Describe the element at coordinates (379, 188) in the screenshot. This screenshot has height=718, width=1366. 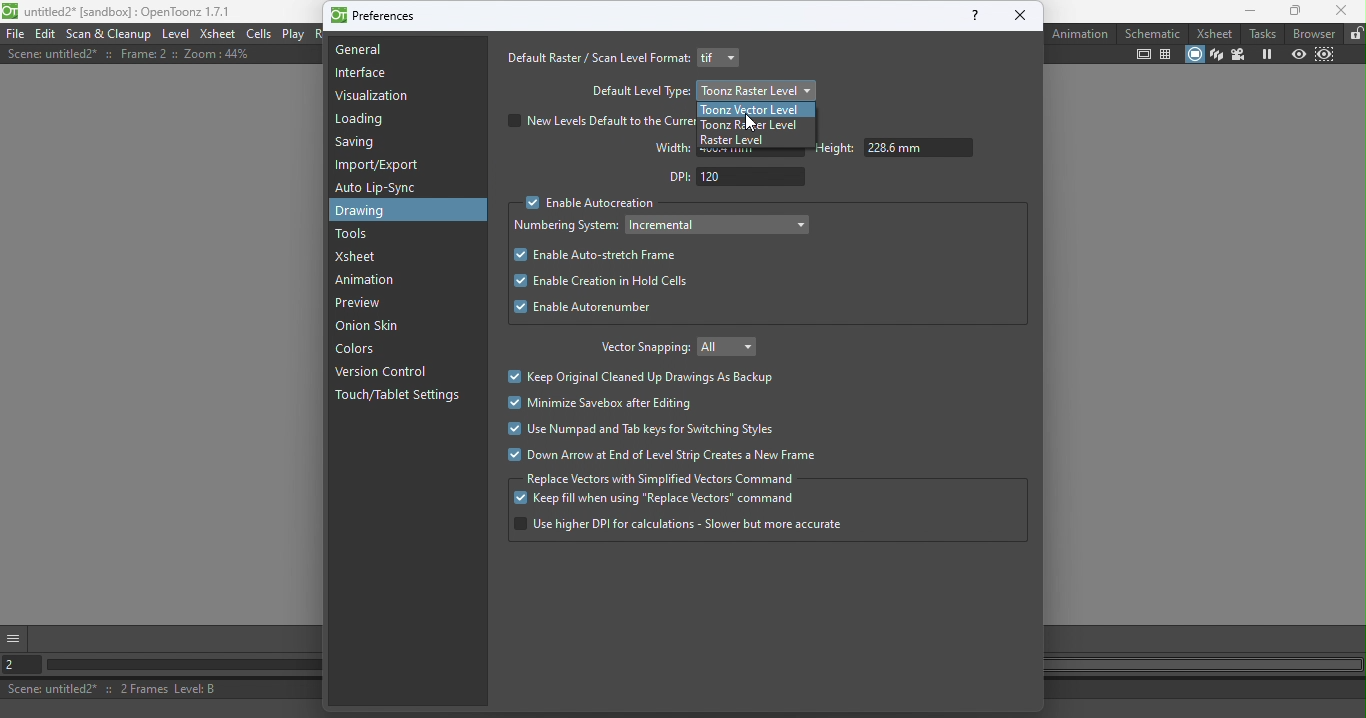
I see `Auto lip-sync` at that location.